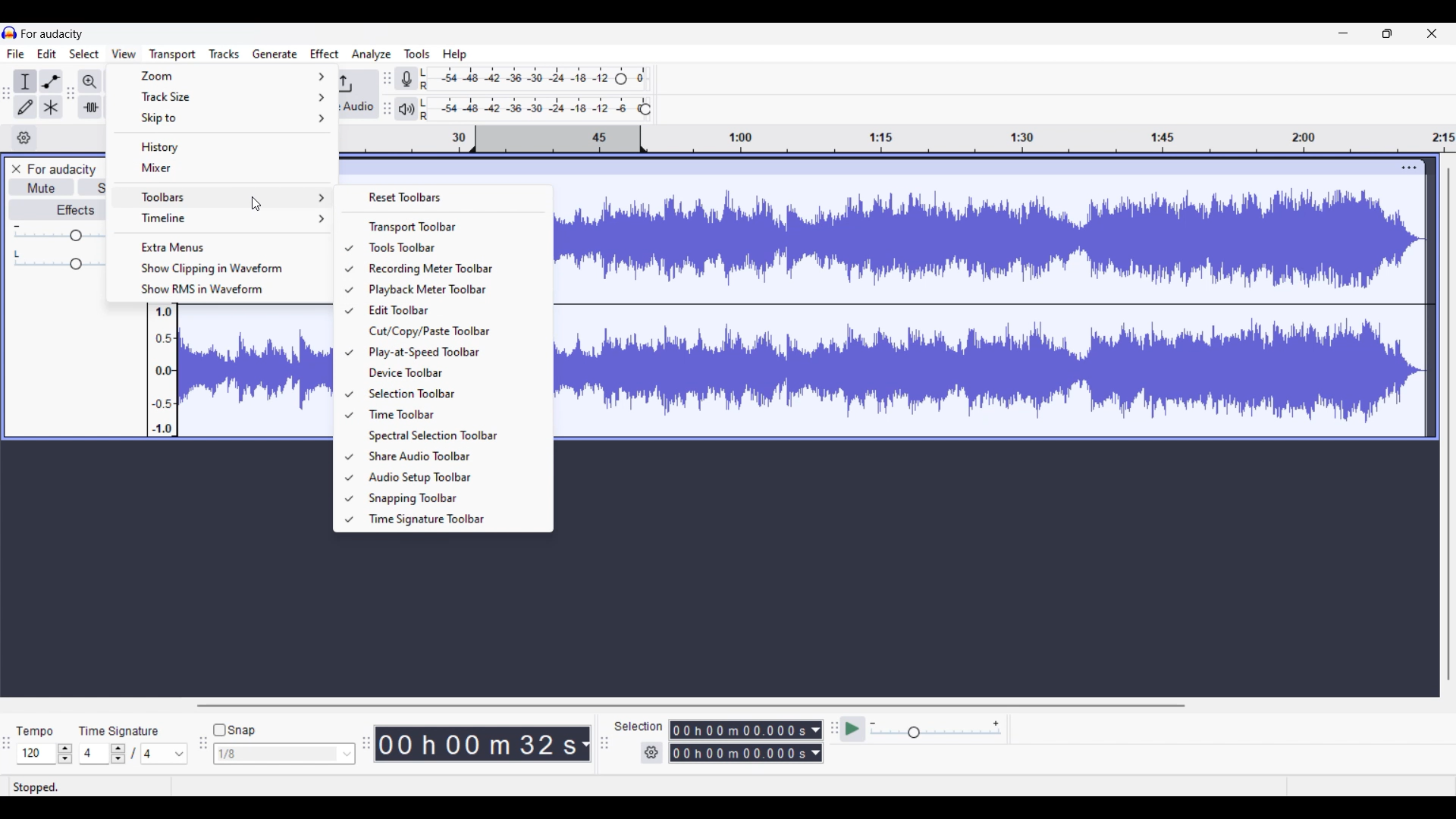 The height and width of the screenshot is (819, 1456). Describe the element at coordinates (35, 753) in the screenshot. I see `Input tempo` at that location.